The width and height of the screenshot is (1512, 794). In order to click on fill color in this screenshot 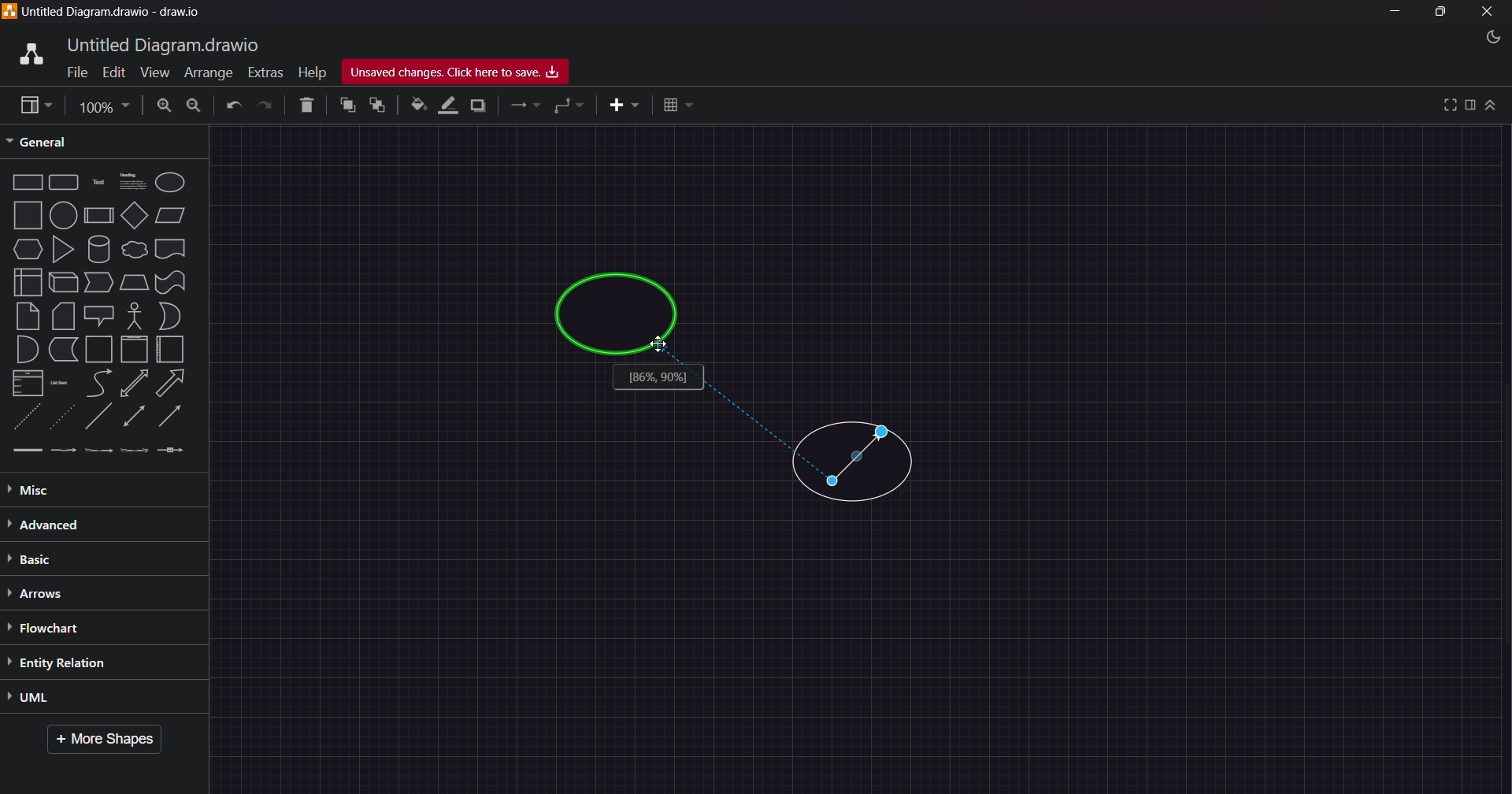, I will do `click(417, 105)`.